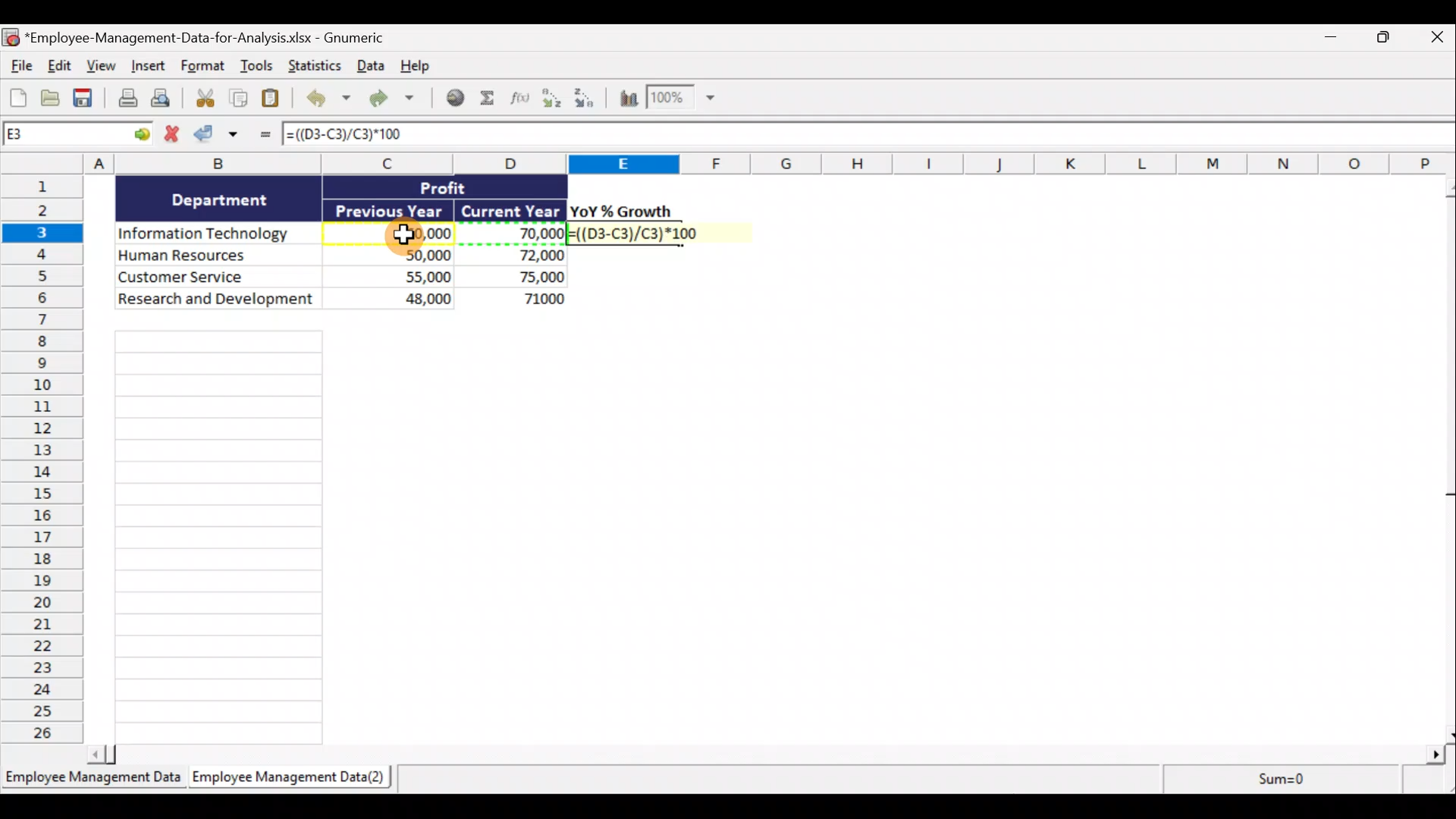  What do you see at coordinates (407, 237) in the screenshot?
I see `Cursor` at bounding box center [407, 237].